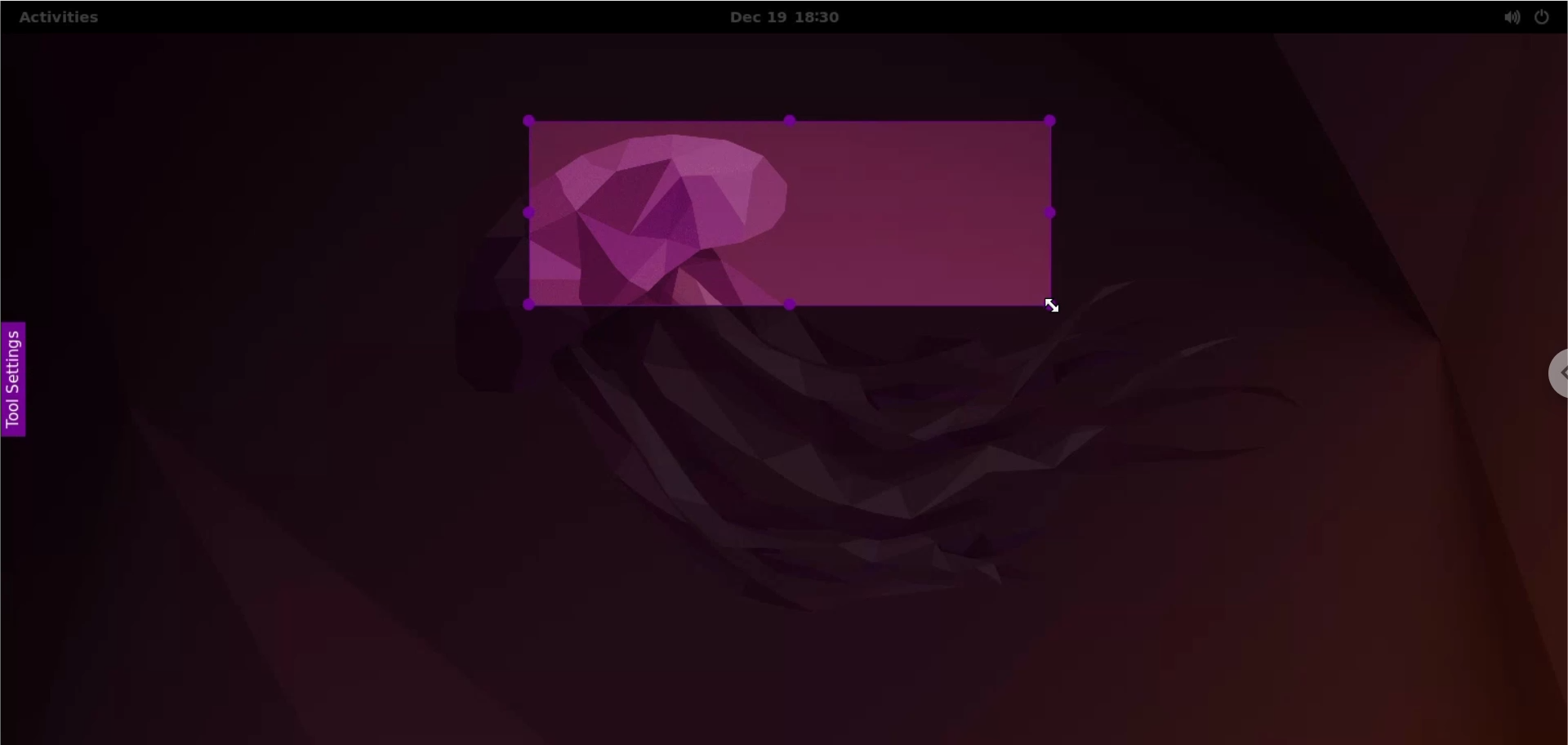 Image resolution: width=1568 pixels, height=745 pixels. I want to click on chrome options, so click(1552, 373).